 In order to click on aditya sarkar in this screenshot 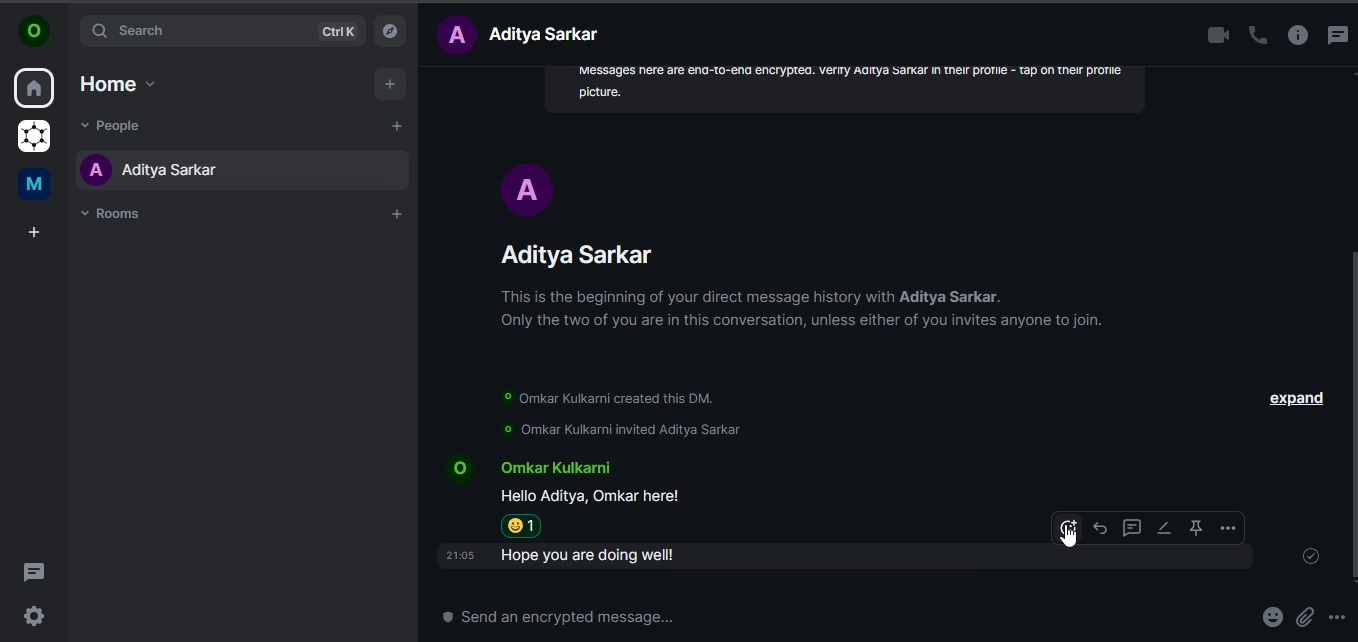, I will do `click(157, 175)`.